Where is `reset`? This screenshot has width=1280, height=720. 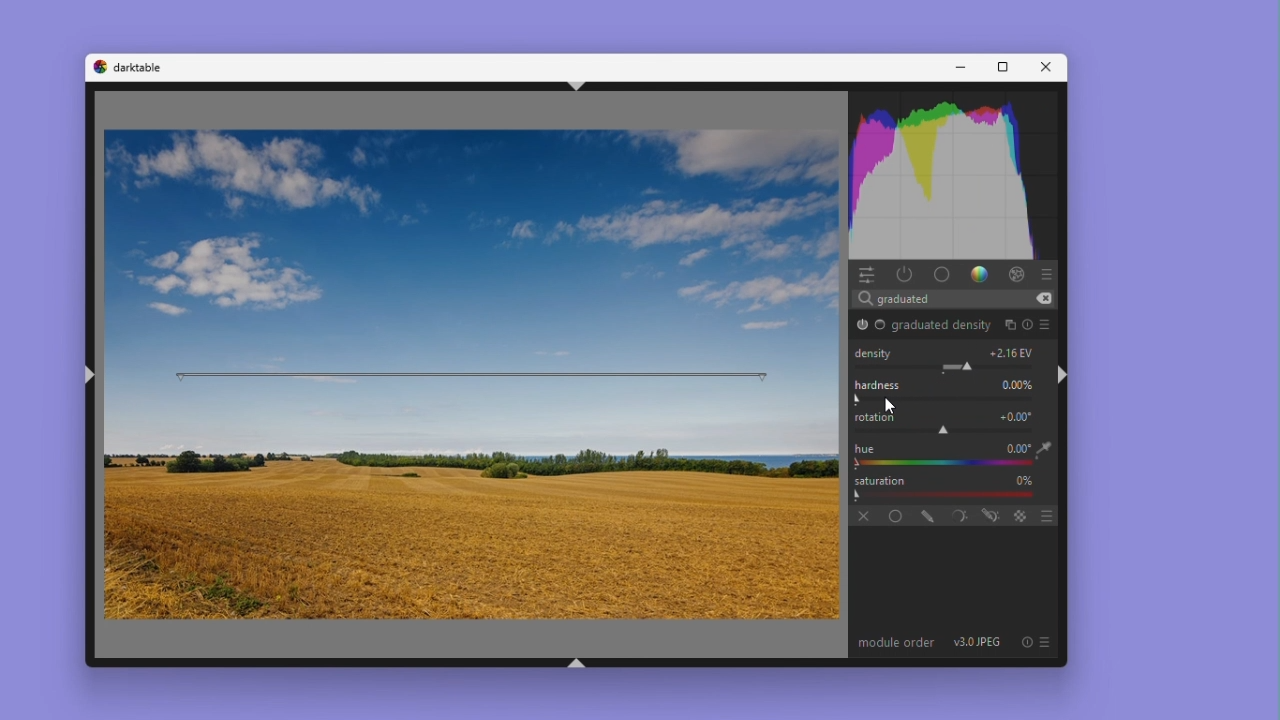
reset is located at coordinates (1026, 642).